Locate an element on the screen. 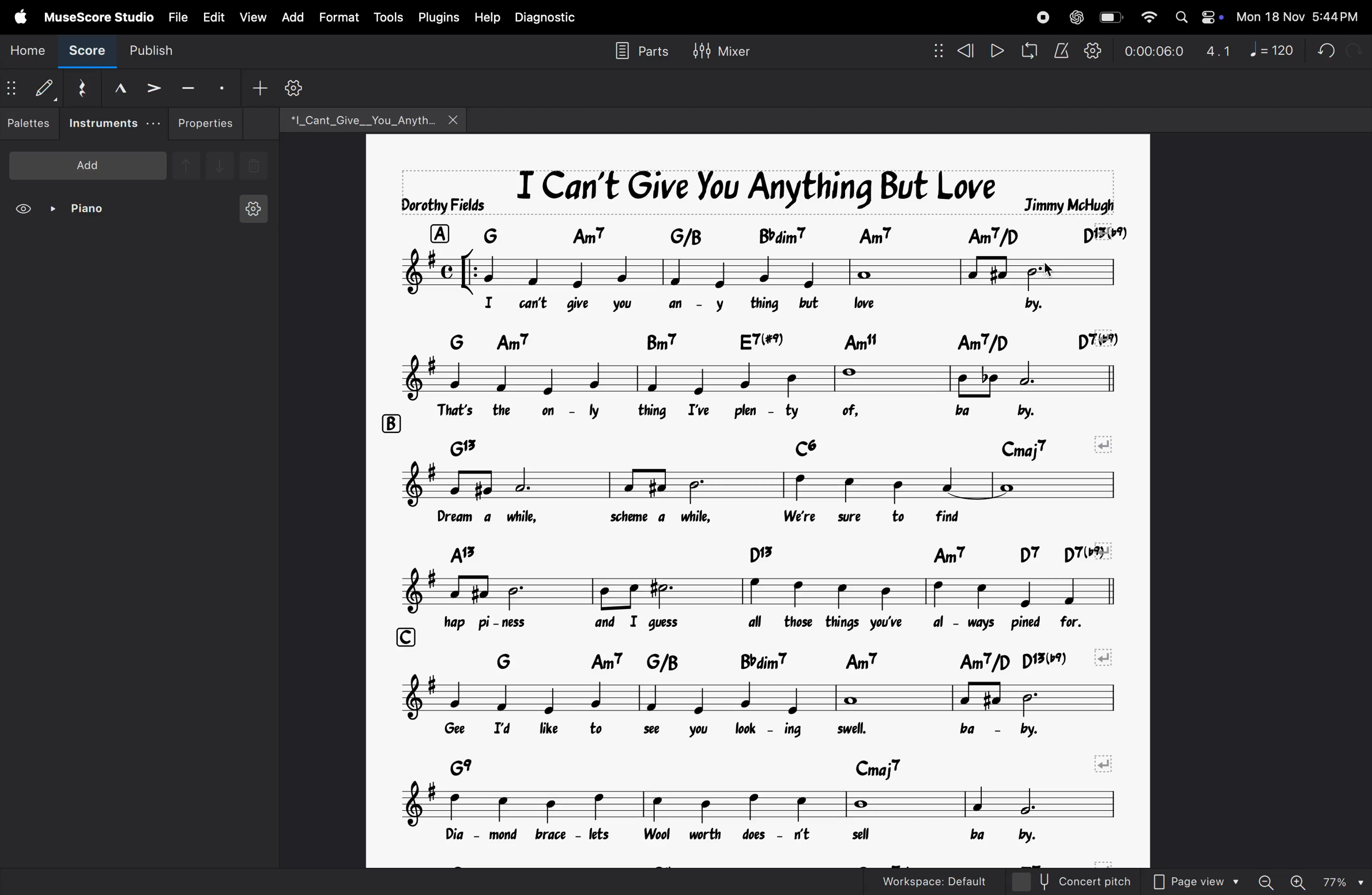 This screenshot has width=1372, height=895. upnote is located at coordinates (186, 170).